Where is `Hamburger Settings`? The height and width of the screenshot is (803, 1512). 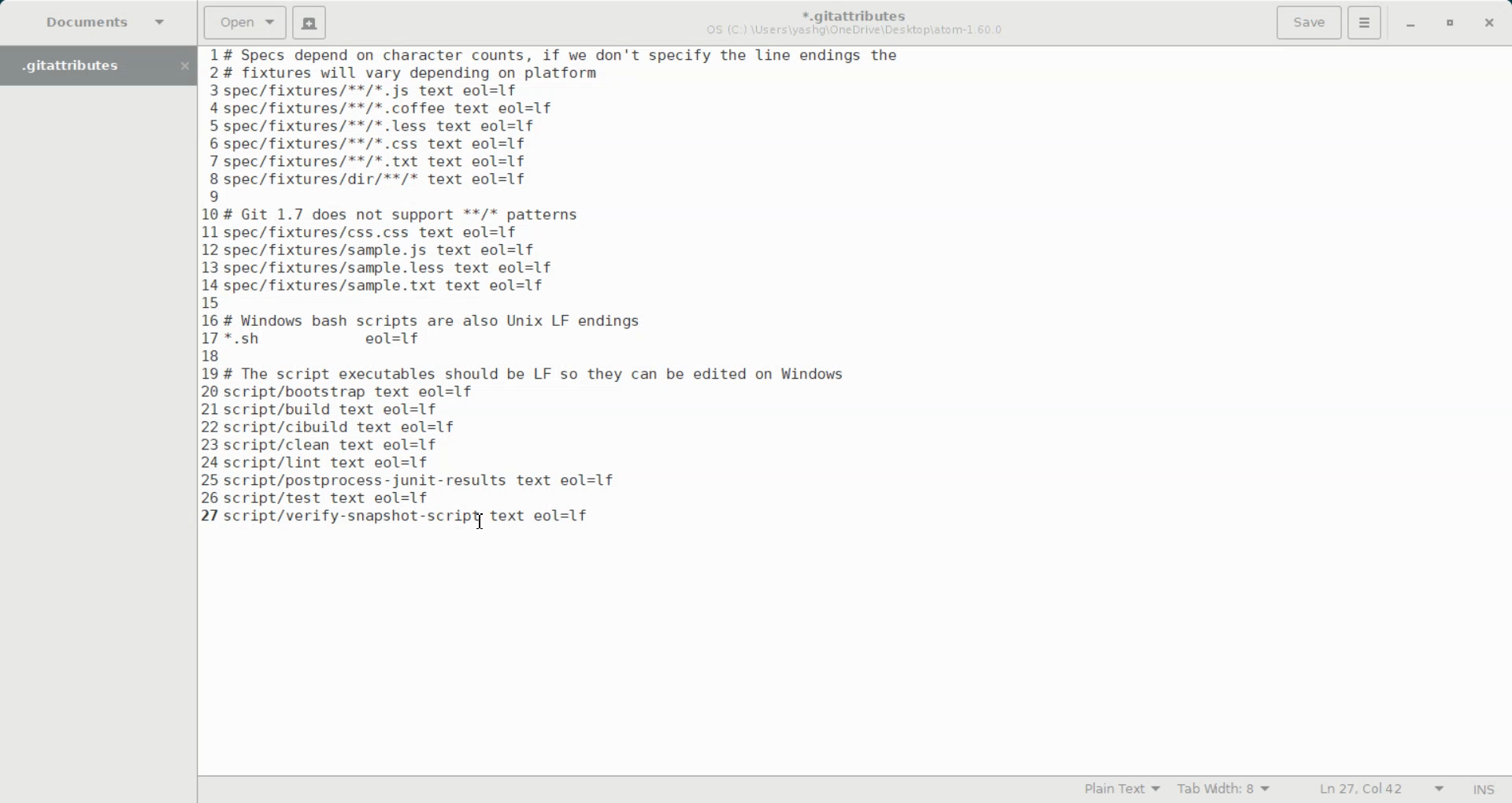
Hamburger Settings is located at coordinates (1365, 22).